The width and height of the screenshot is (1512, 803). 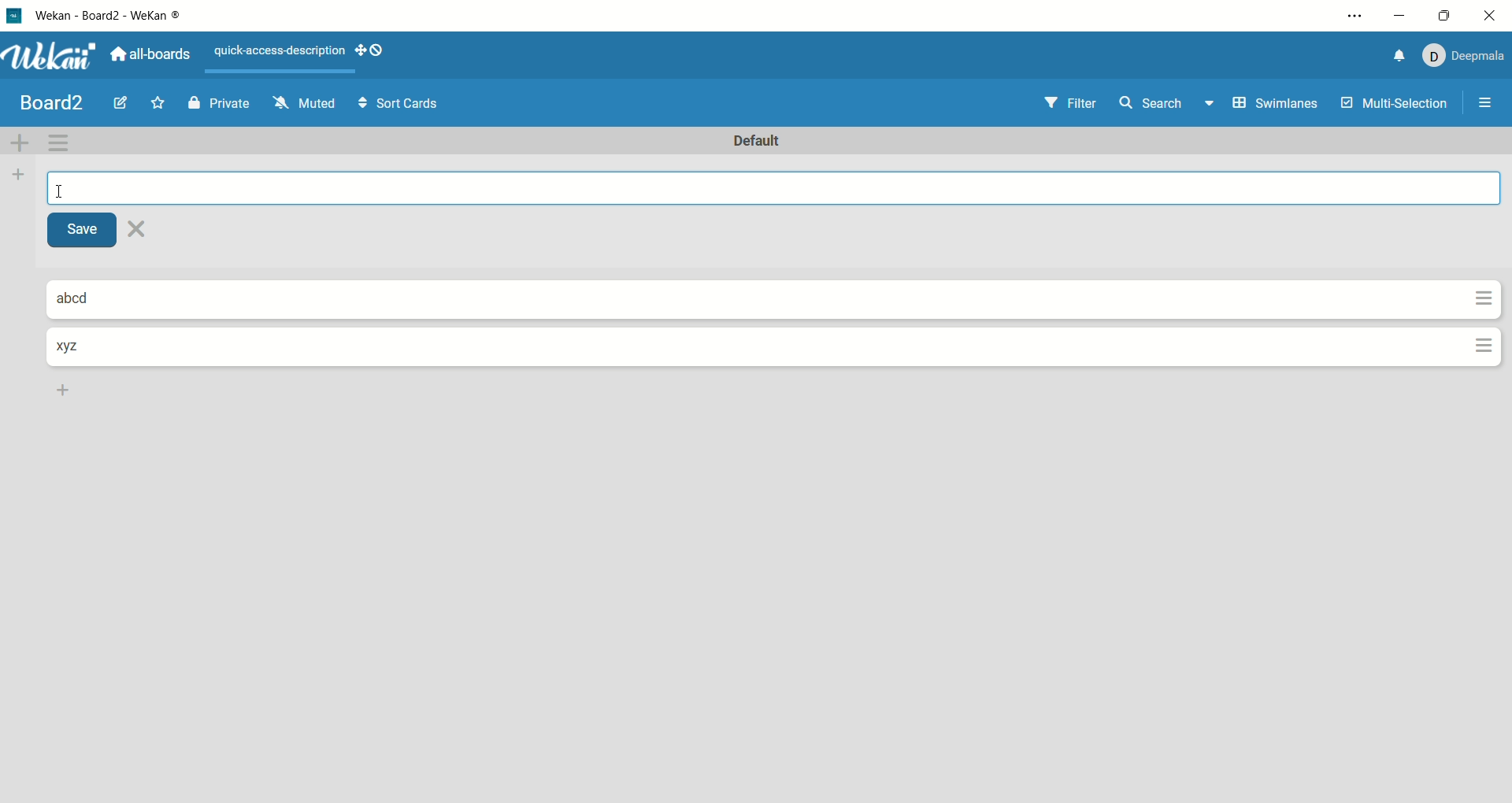 I want to click on search, so click(x=1168, y=105).